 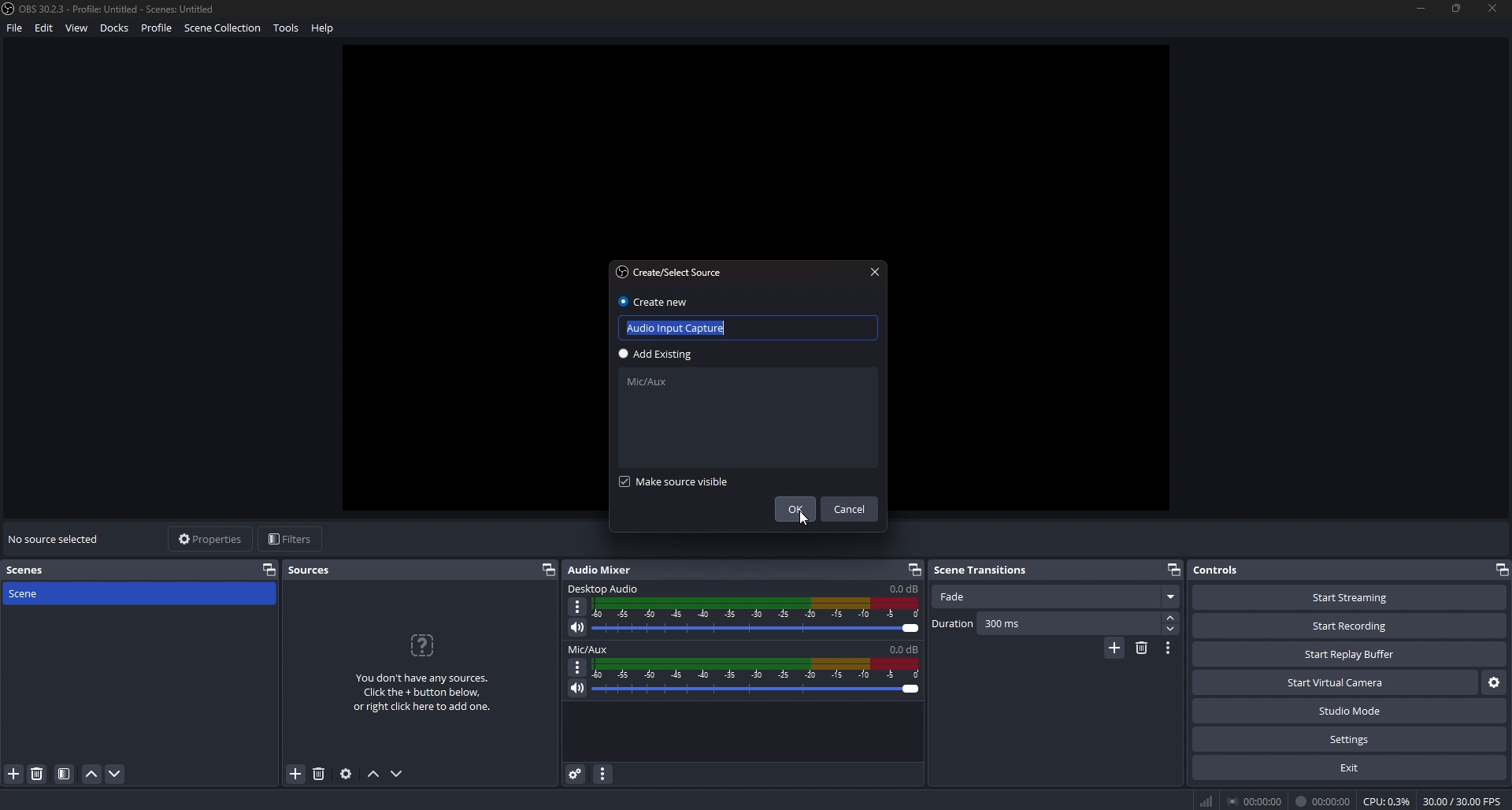 What do you see at coordinates (606, 587) in the screenshot?
I see `desktop audio` at bounding box center [606, 587].